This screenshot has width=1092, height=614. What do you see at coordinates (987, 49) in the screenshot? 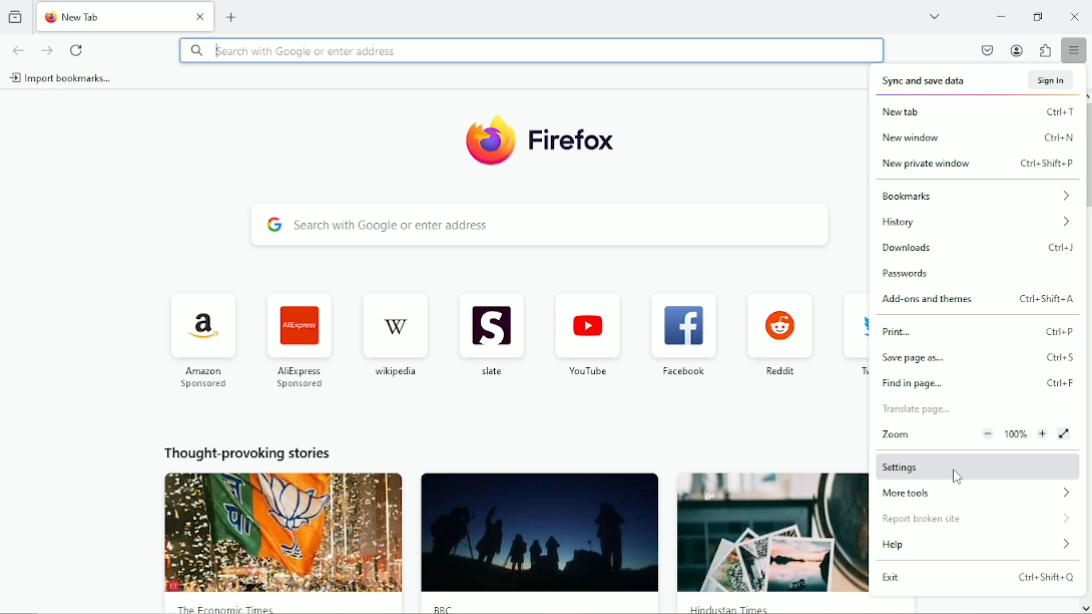
I see `save to pocket` at bounding box center [987, 49].